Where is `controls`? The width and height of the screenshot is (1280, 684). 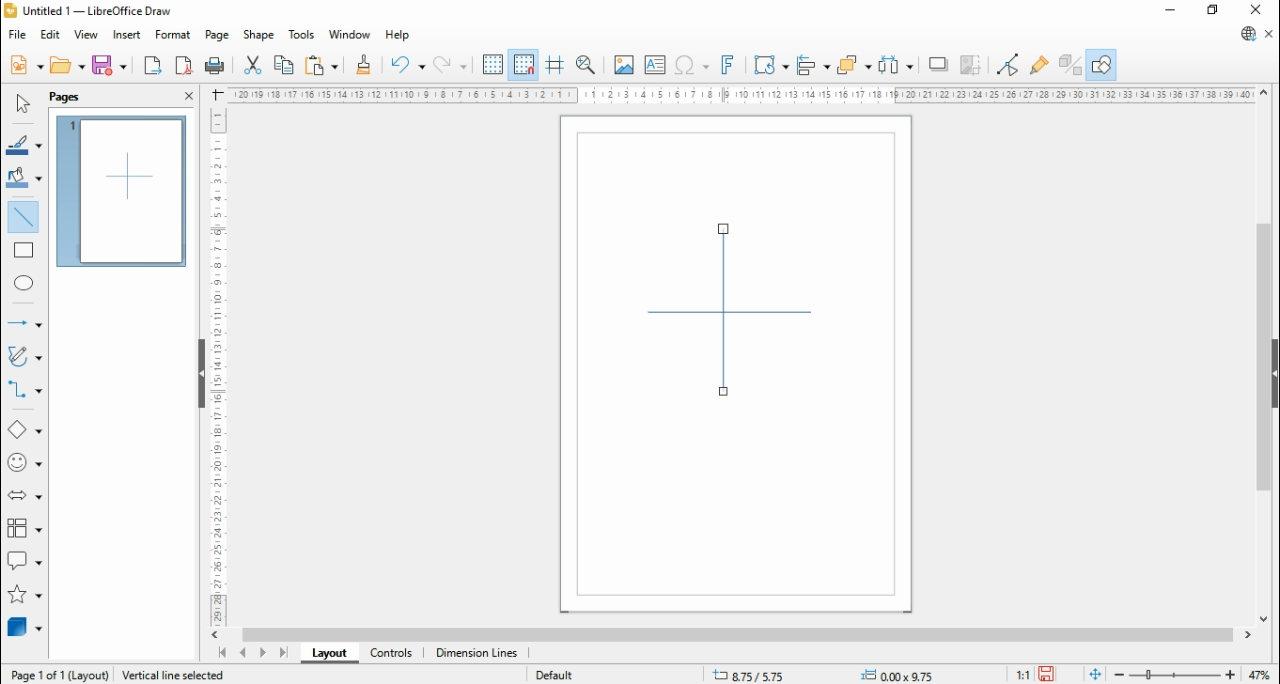 controls is located at coordinates (391, 654).